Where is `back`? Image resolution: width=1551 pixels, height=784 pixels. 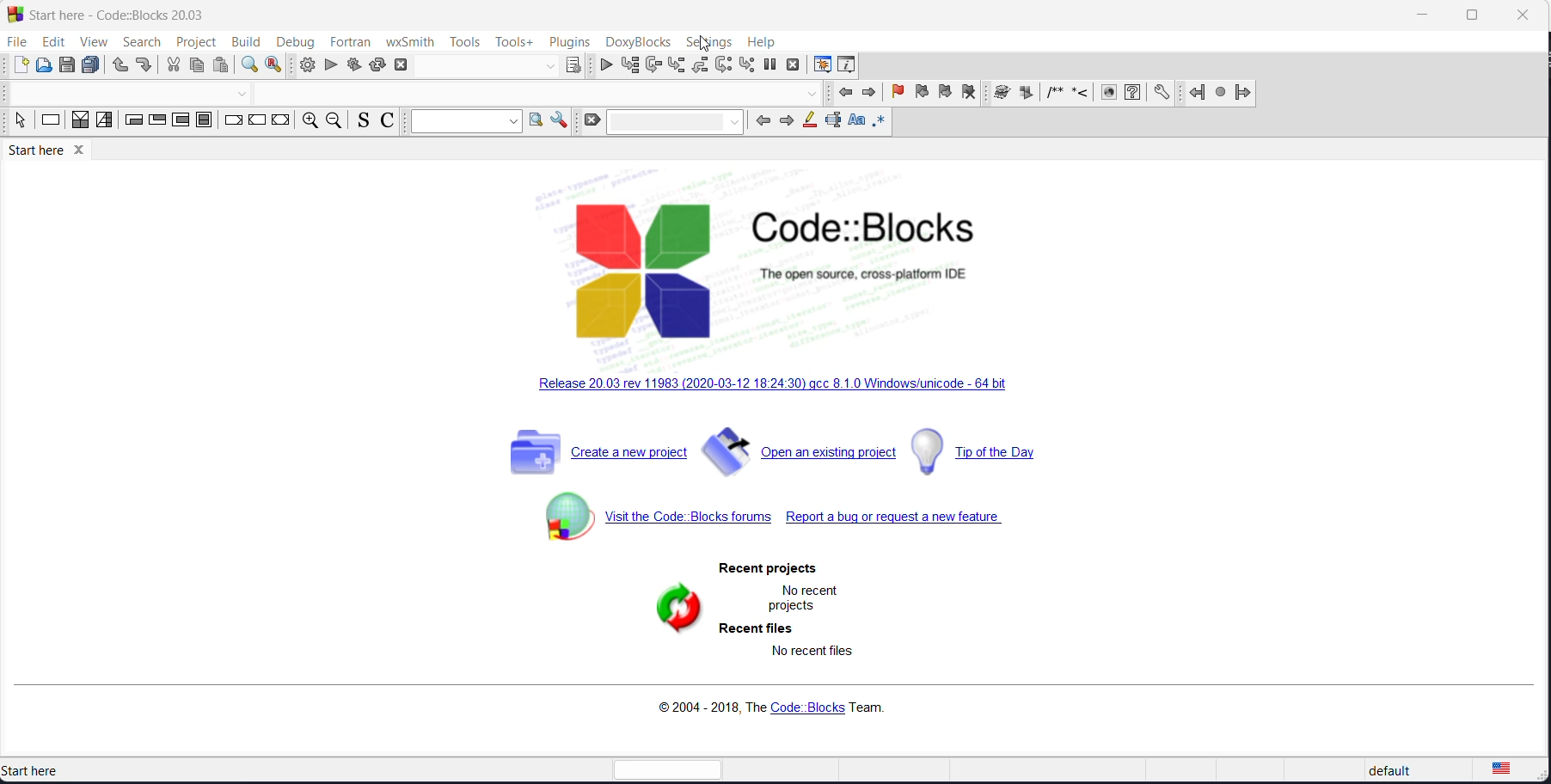 back is located at coordinates (758, 122).